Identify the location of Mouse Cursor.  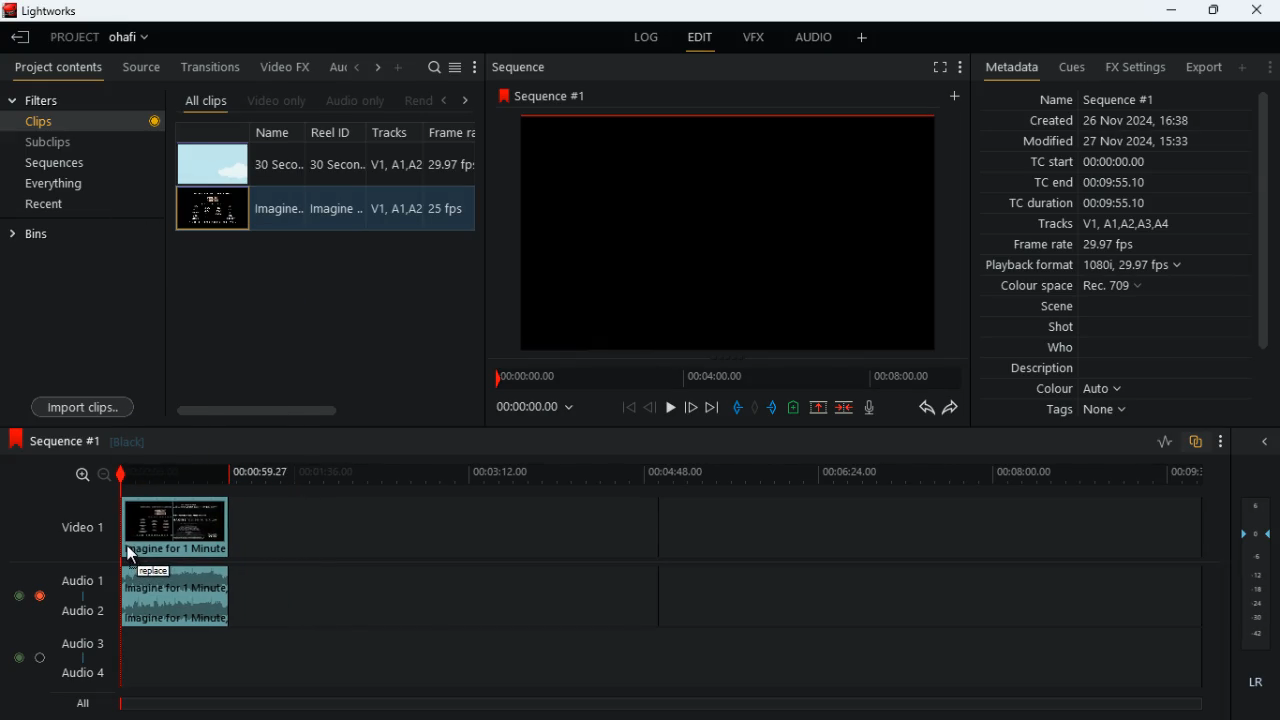
(132, 556).